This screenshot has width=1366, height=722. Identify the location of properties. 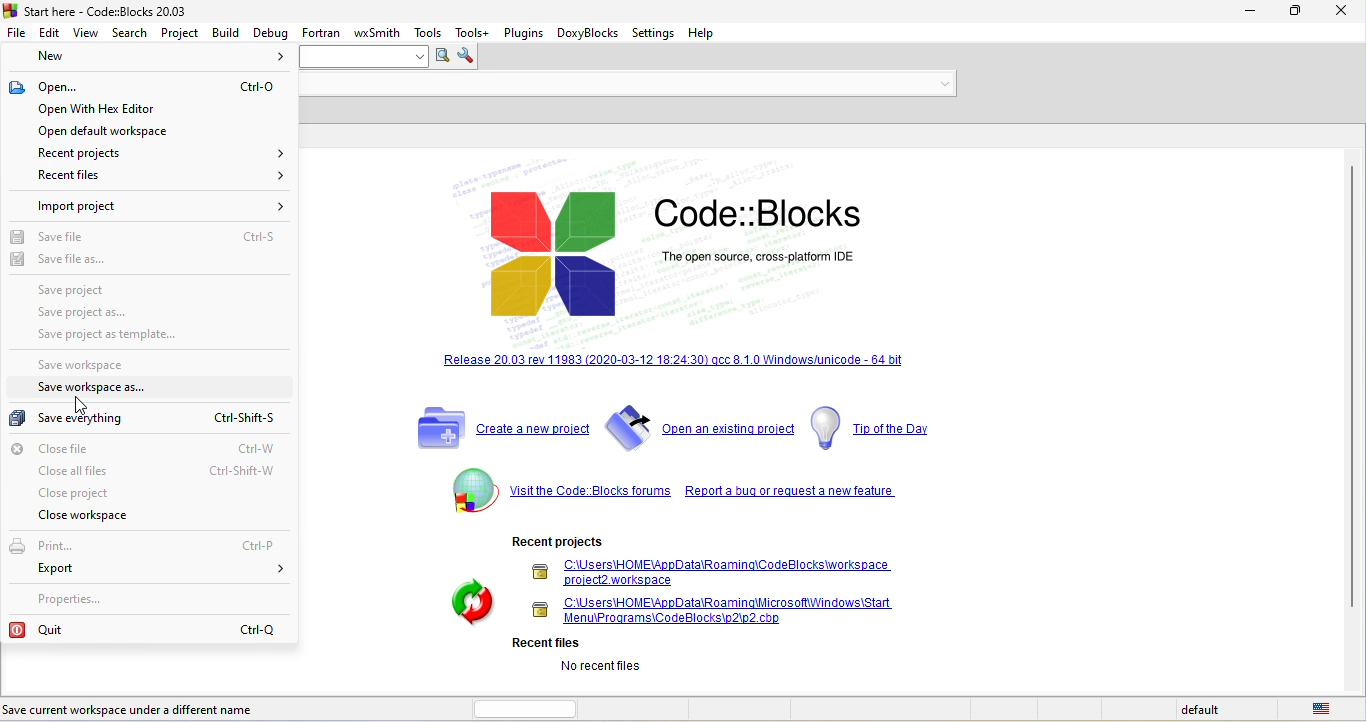
(76, 598).